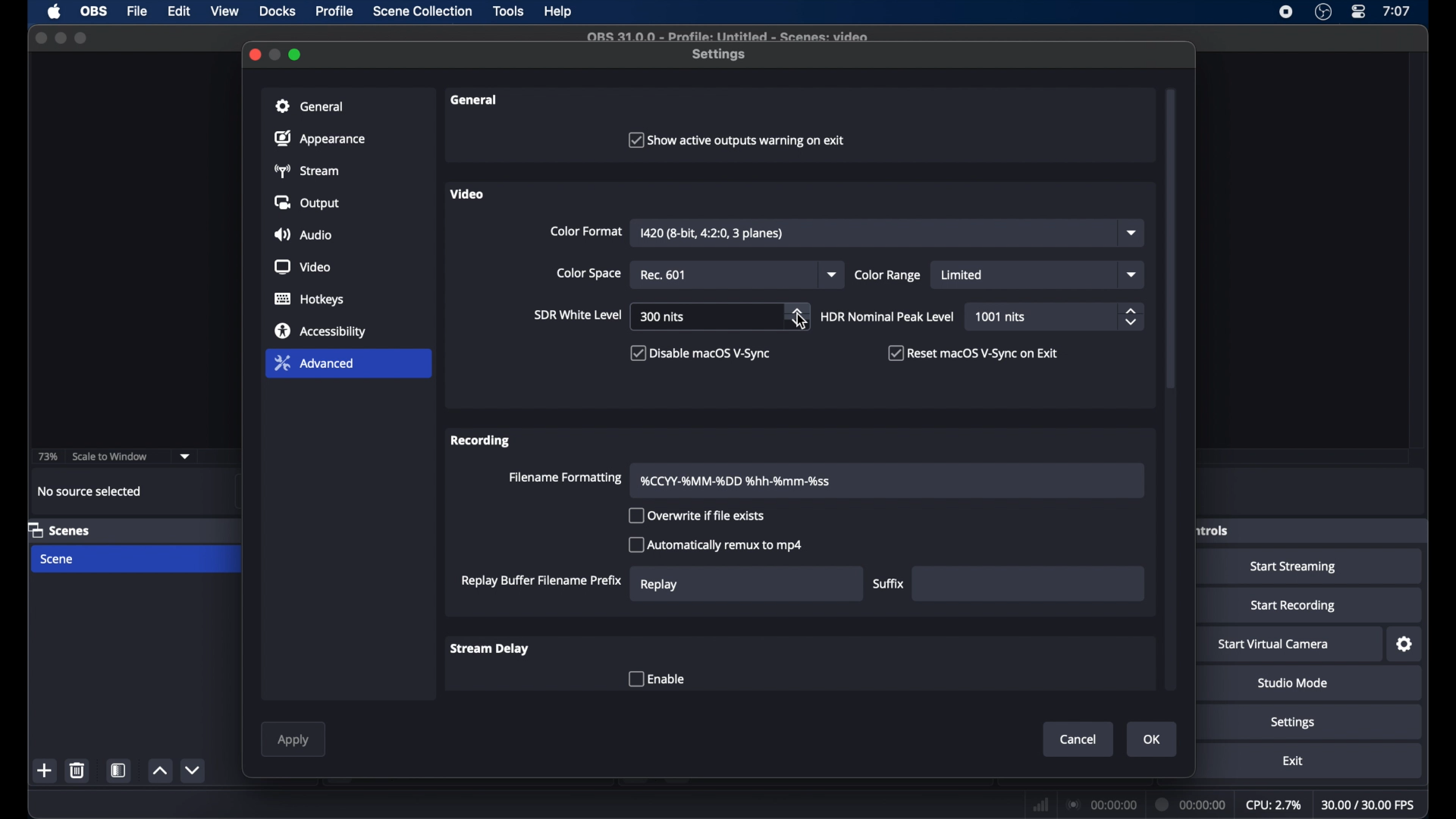 The width and height of the screenshot is (1456, 819). I want to click on time, so click(1397, 11).